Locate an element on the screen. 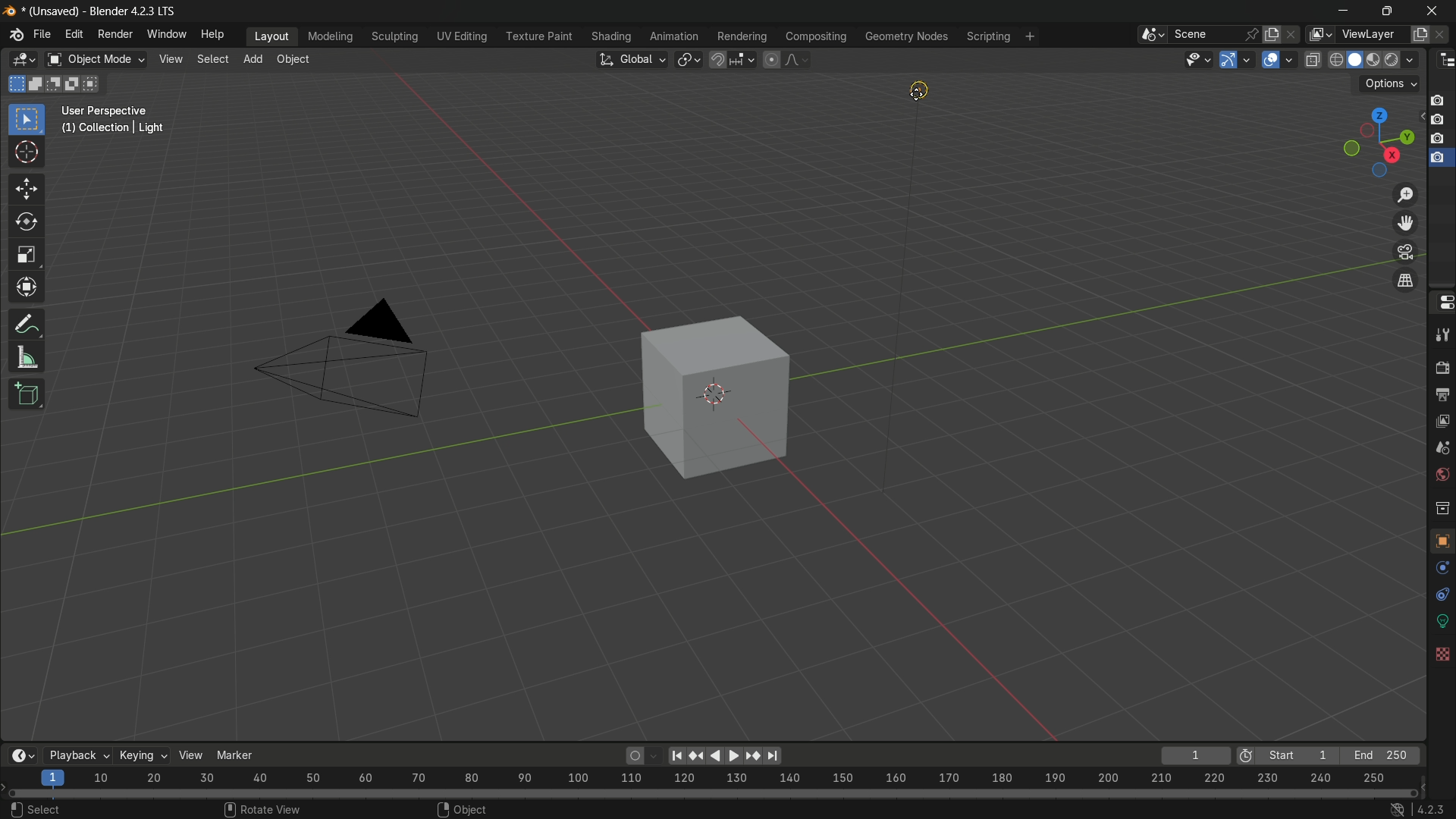  scene is located at coordinates (1442, 447).